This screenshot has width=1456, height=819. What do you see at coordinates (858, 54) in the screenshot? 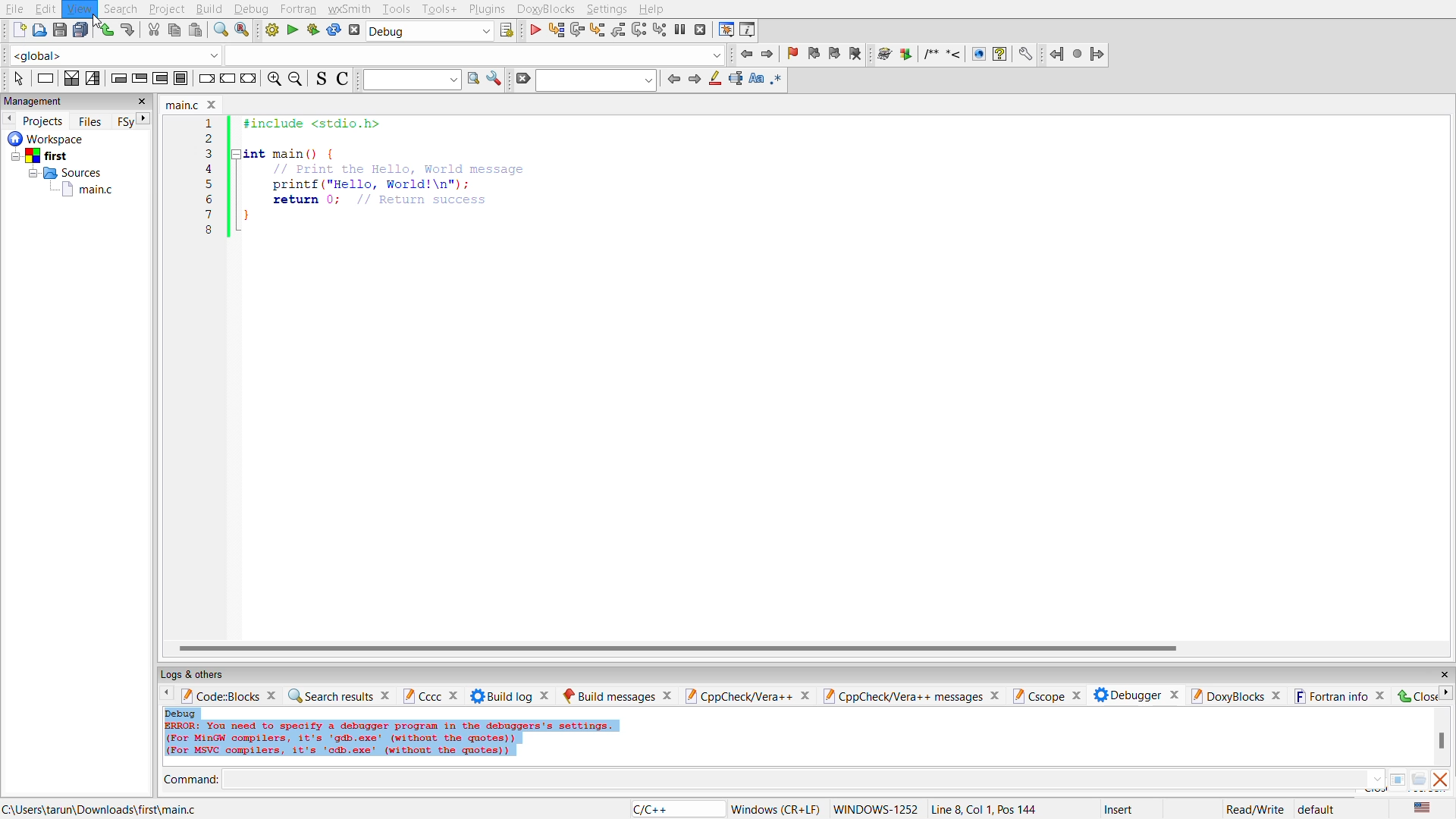
I see `clear bookmarks` at bounding box center [858, 54].